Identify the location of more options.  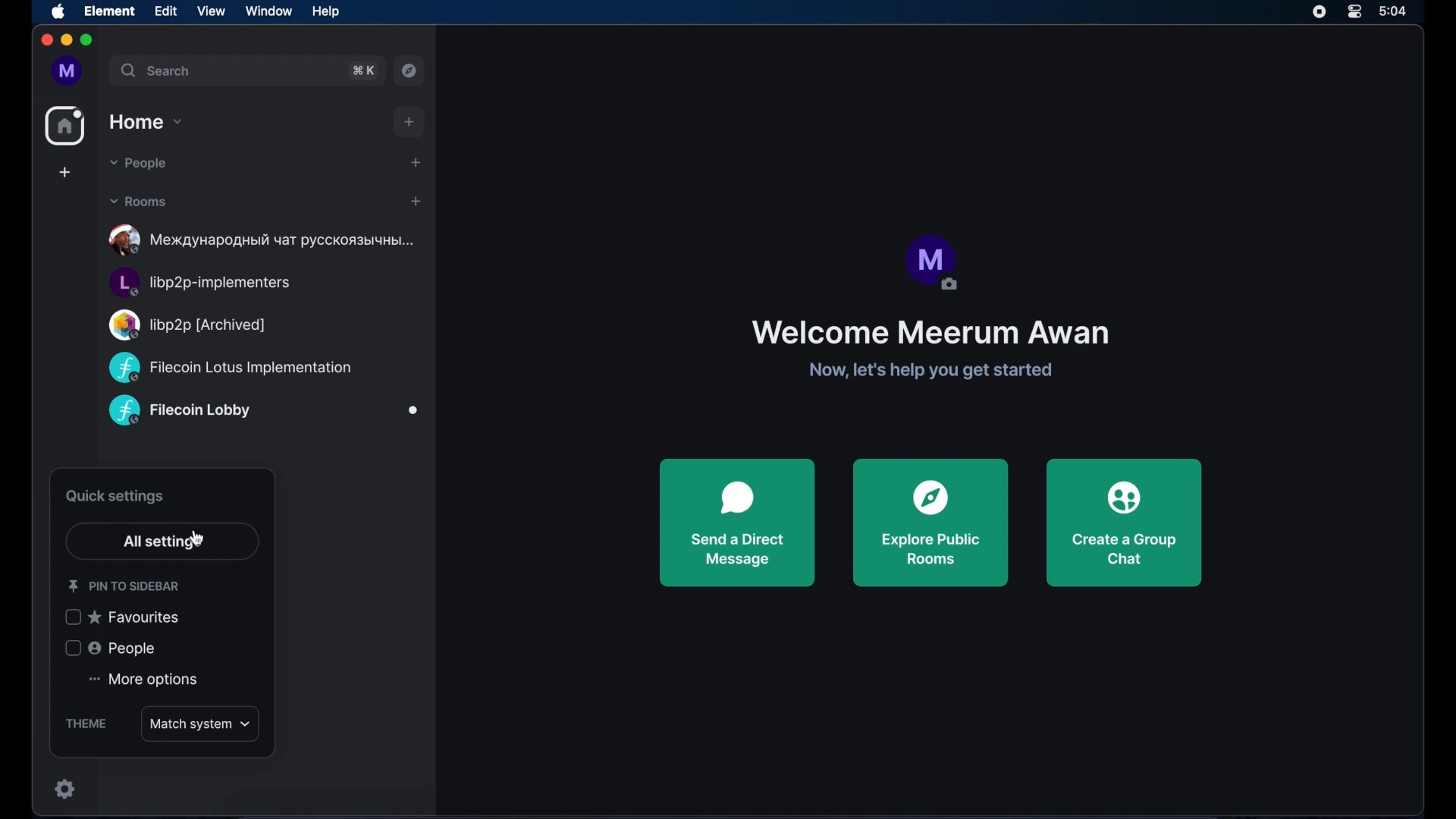
(143, 680).